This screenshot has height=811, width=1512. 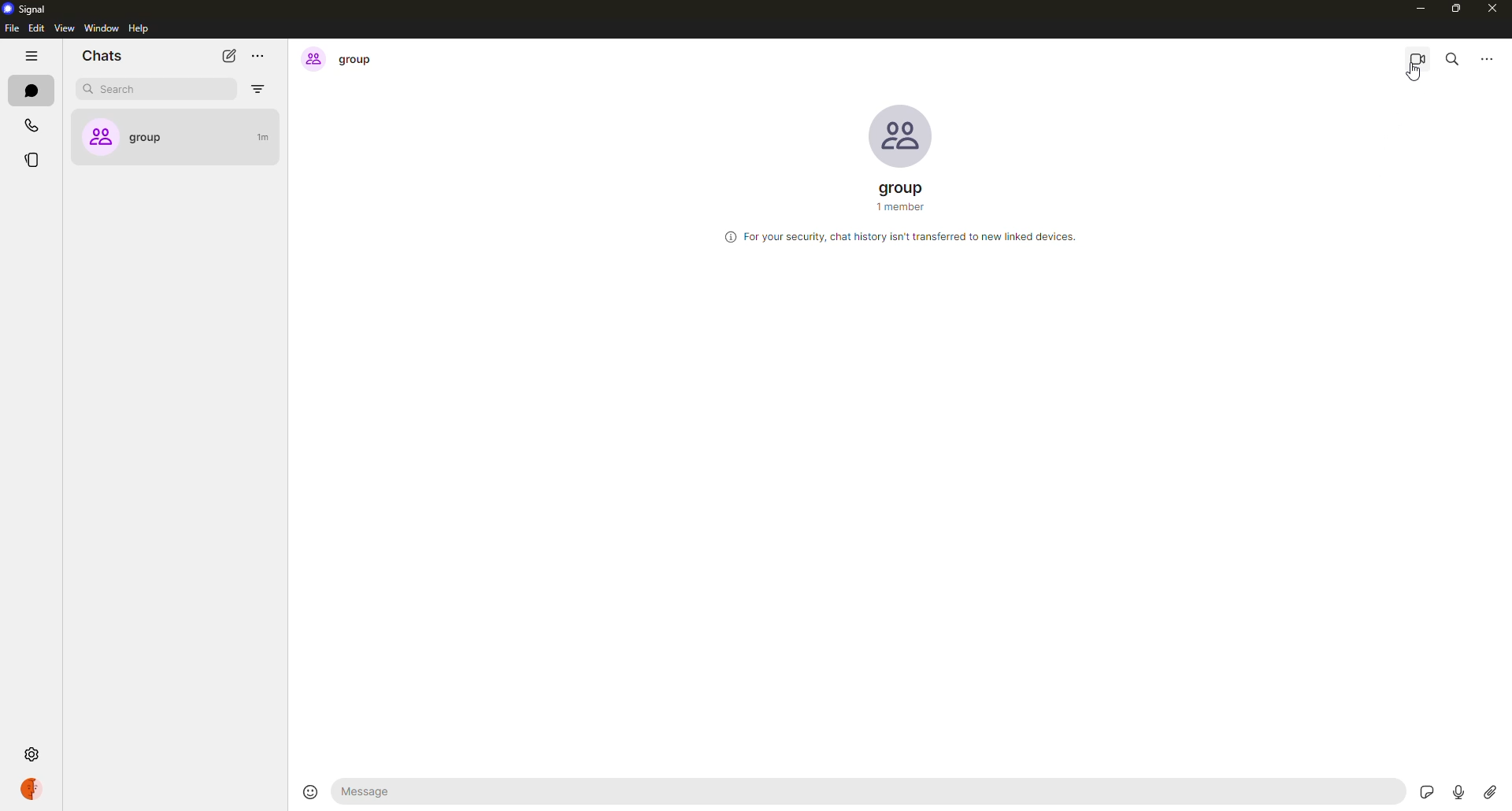 What do you see at coordinates (1416, 11) in the screenshot?
I see `minimize` at bounding box center [1416, 11].